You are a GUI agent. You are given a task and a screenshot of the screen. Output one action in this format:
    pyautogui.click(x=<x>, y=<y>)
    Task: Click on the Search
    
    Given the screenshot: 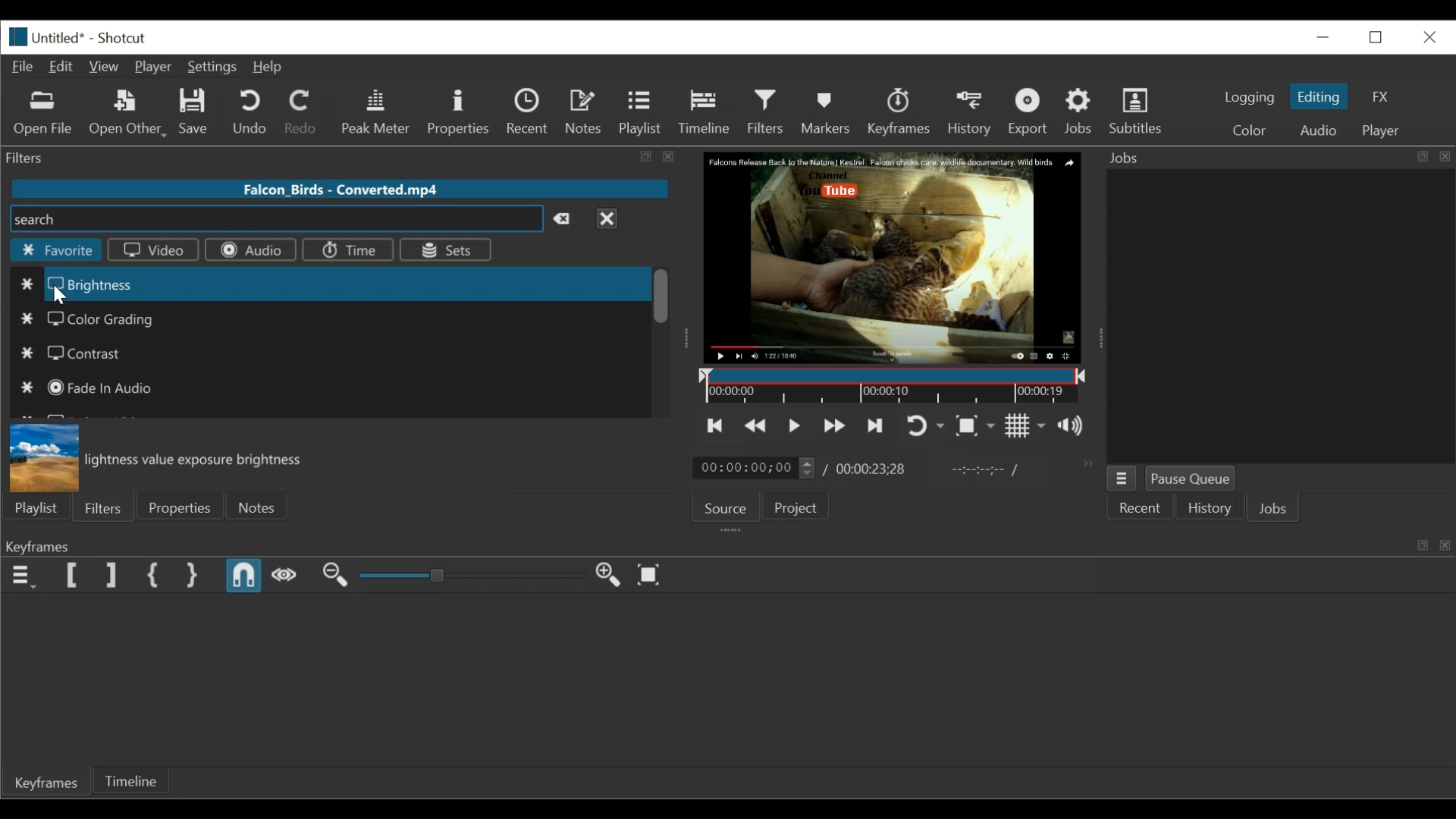 What is the action you would take?
    pyautogui.click(x=275, y=218)
    